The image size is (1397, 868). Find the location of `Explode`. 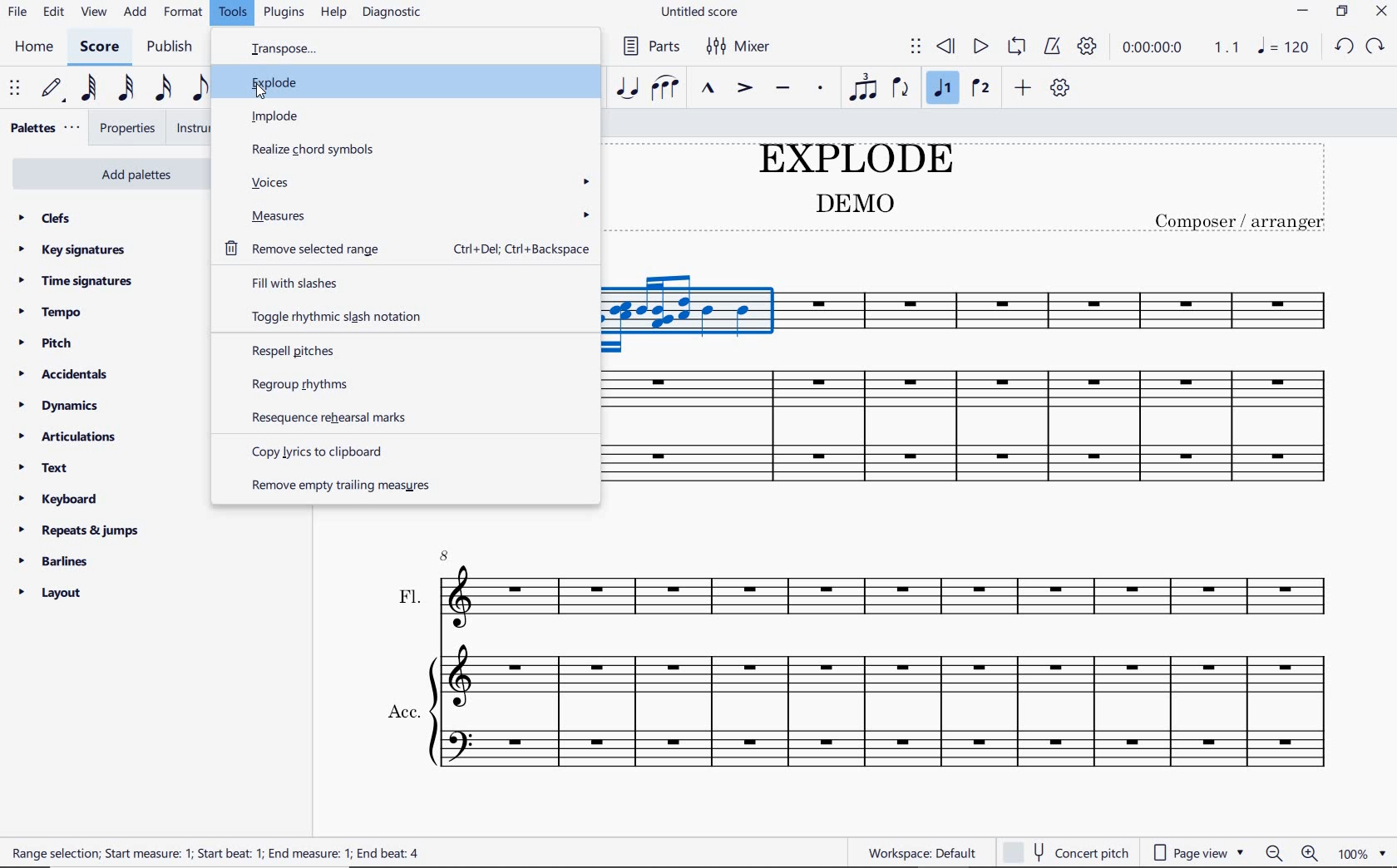

Explode is located at coordinates (269, 79).